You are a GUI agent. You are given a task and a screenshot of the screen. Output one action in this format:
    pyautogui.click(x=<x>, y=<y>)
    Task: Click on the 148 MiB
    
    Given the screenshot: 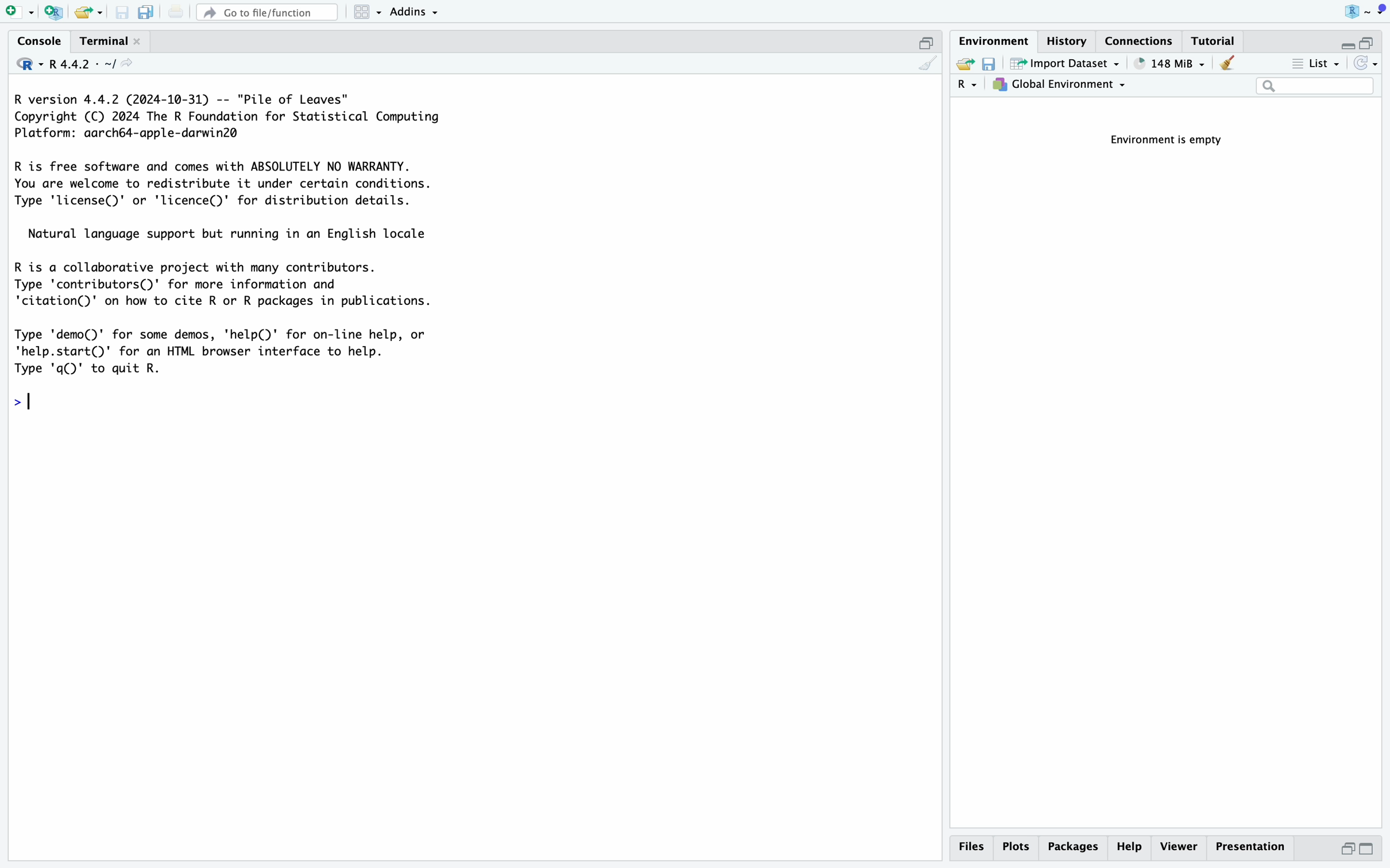 What is the action you would take?
    pyautogui.click(x=1169, y=64)
    